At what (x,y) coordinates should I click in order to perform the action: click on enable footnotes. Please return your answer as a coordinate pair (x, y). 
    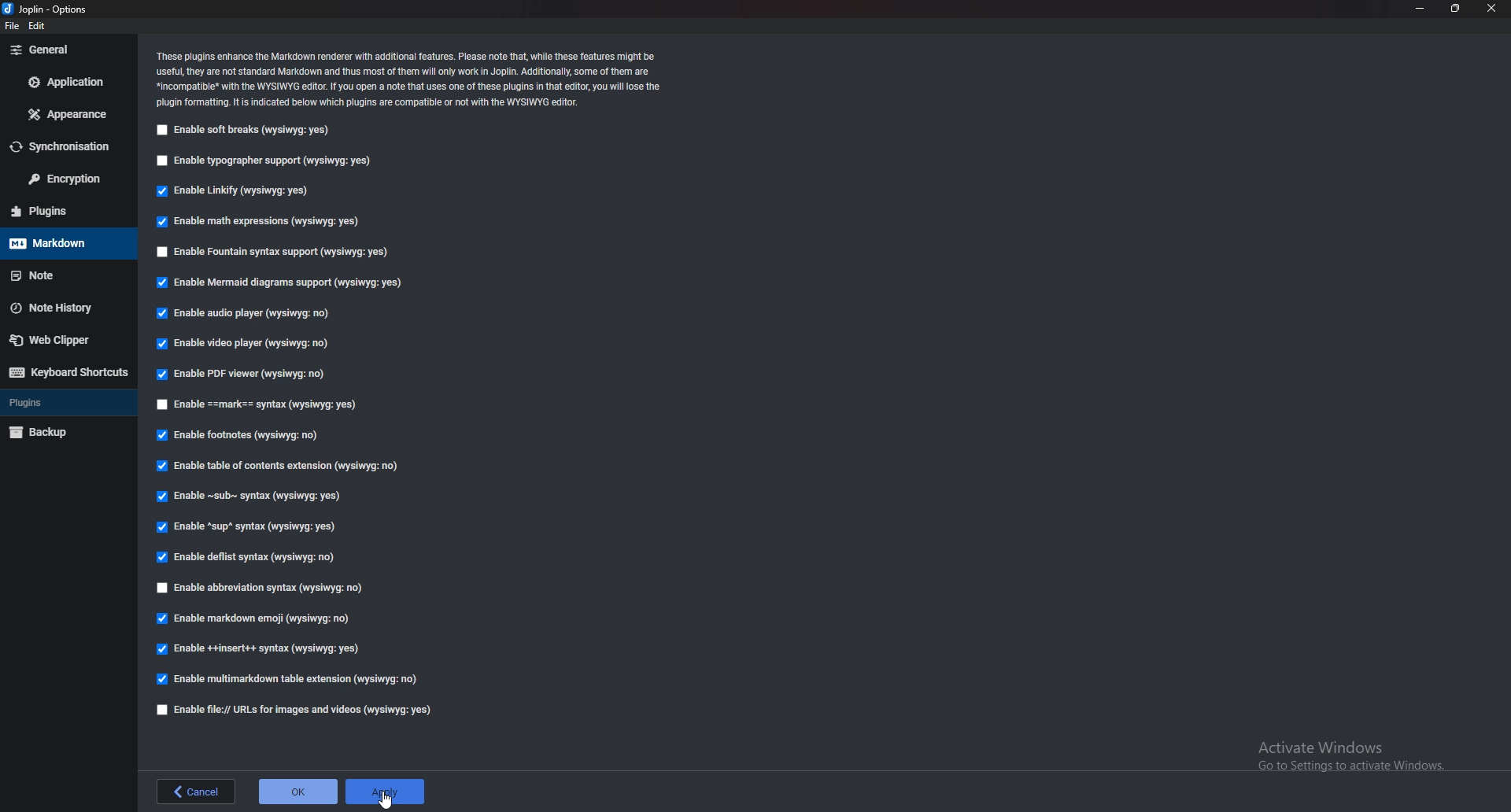
    Looking at the image, I should click on (241, 436).